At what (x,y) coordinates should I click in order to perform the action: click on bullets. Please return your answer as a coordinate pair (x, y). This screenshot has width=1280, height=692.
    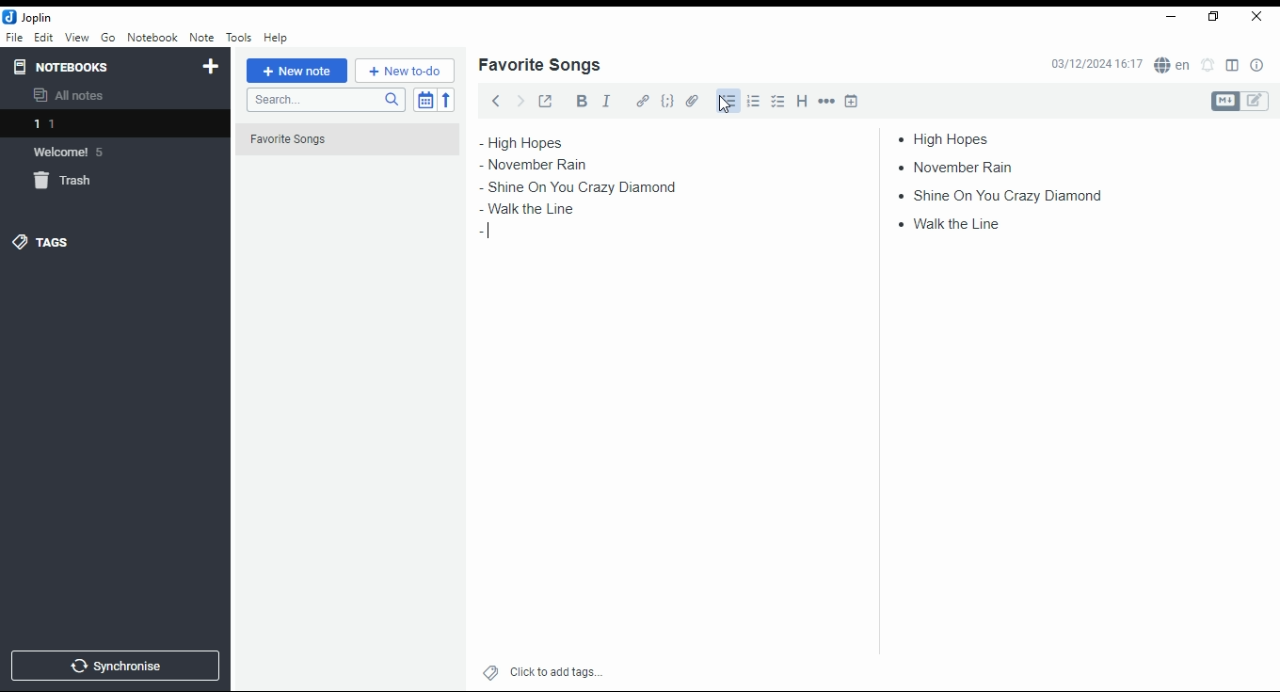
    Looking at the image, I should click on (726, 101).